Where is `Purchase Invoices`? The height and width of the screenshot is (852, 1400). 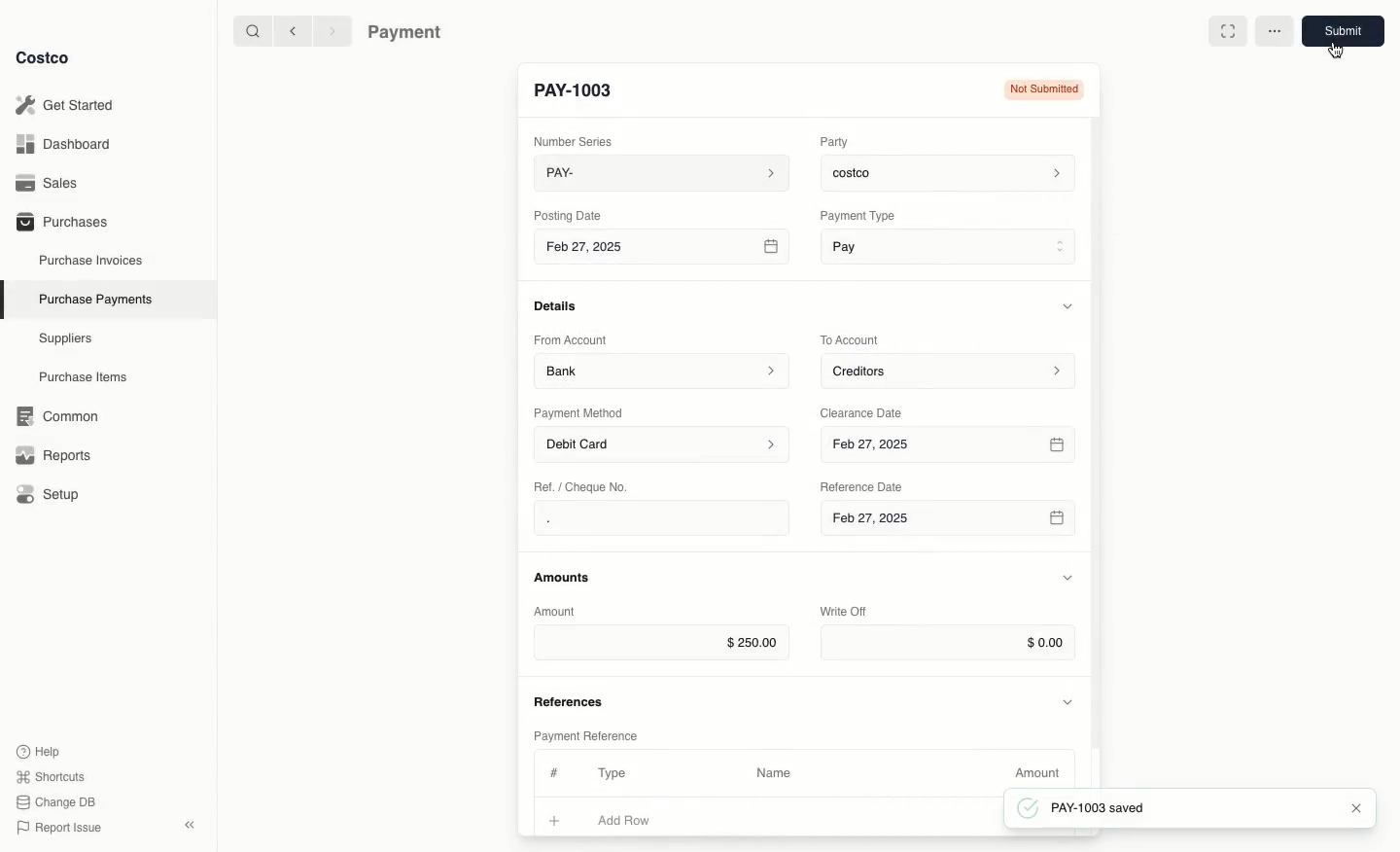 Purchase Invoices is located at coordinates (92, 260).